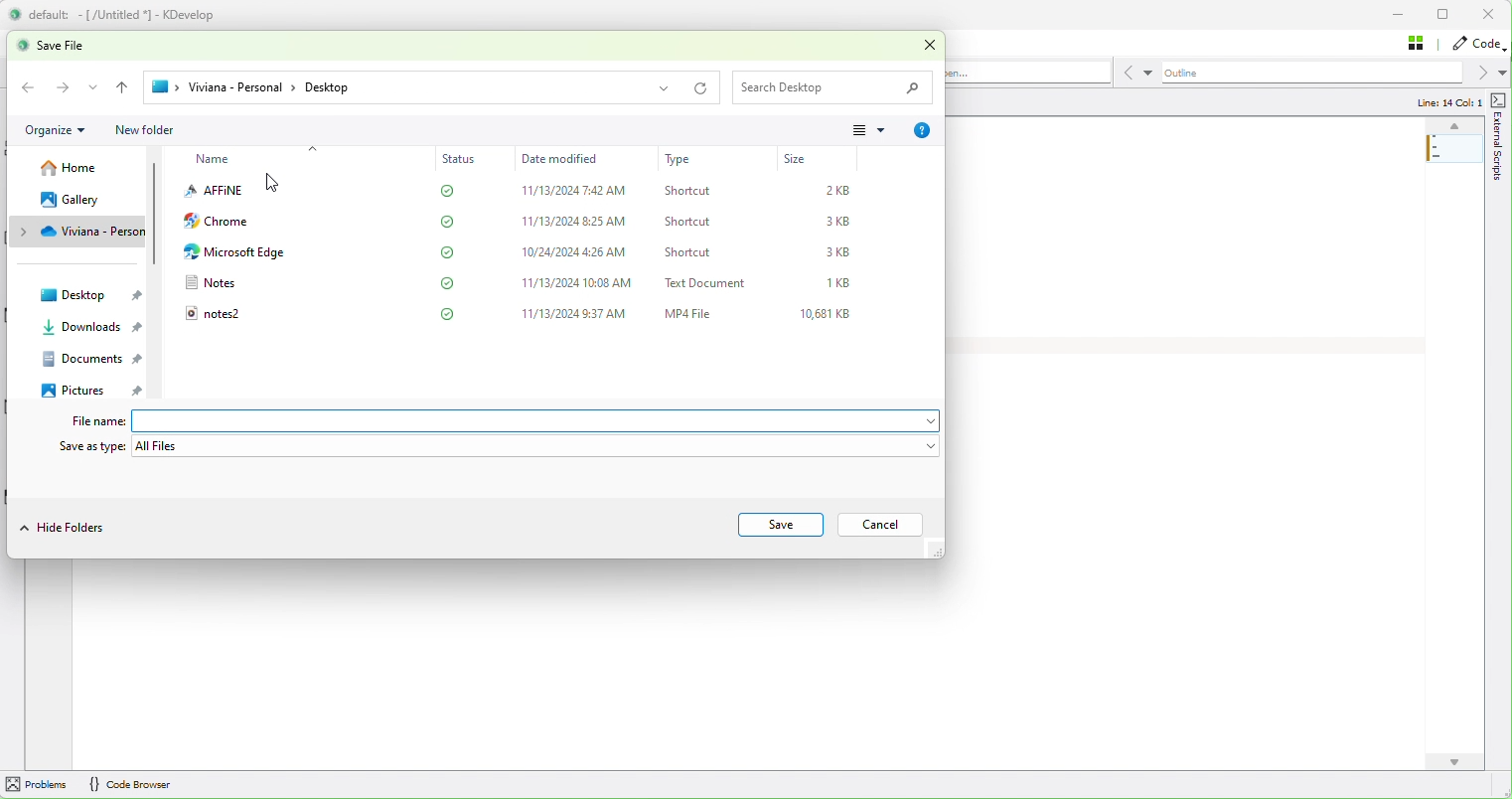  What do you see at coordinates (215, 160) in the screenshot?
I see `Name` at bounding box center [215, 160].